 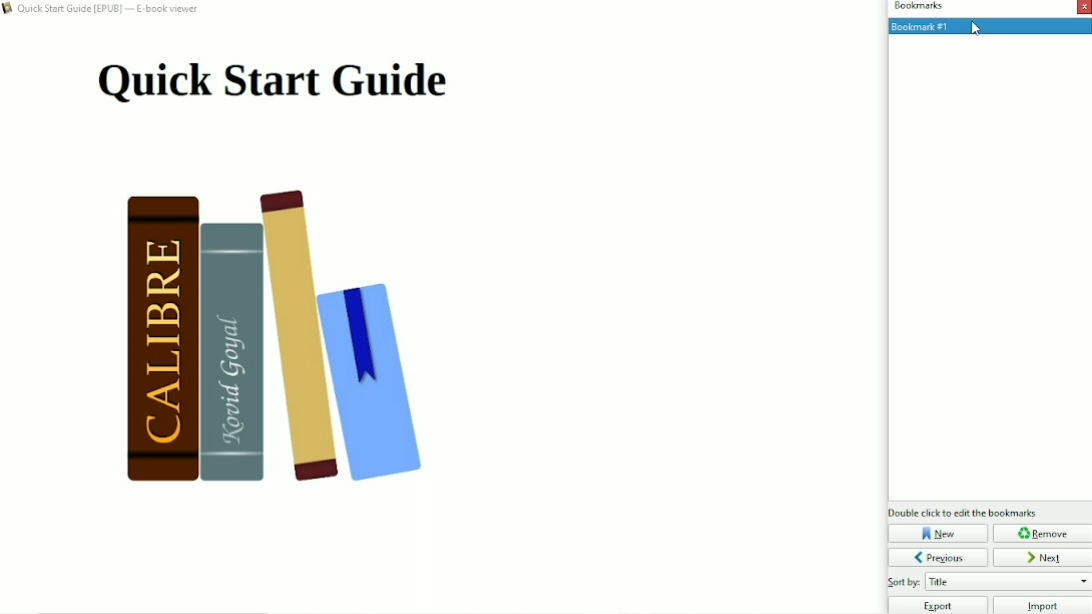 What do you see at coordinates (290, 343) in the screenshot?
I see `Book` at bounding box center [290, 343].